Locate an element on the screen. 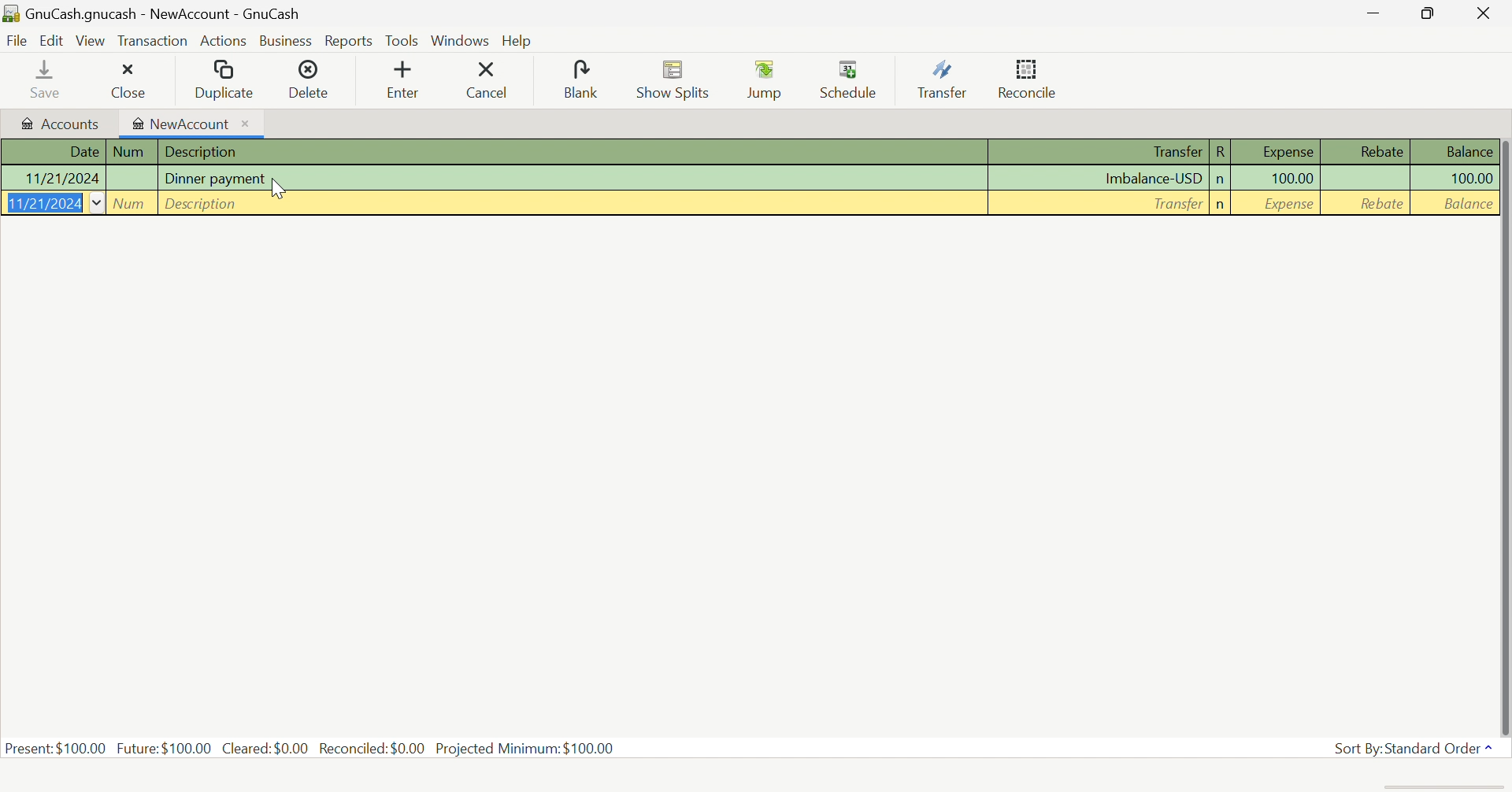  Cursor is located at coordinates (280, 189).